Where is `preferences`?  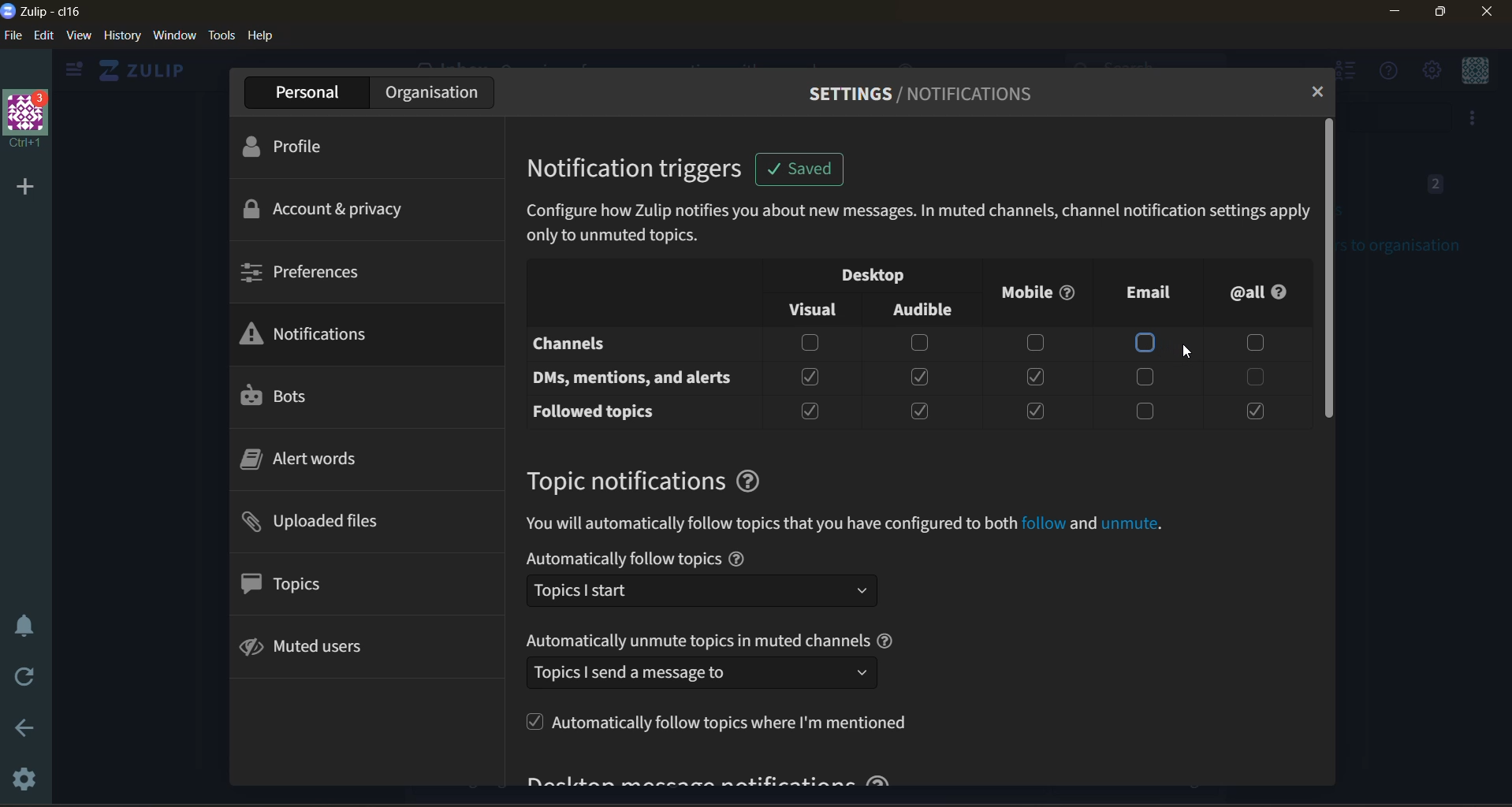 preferences is located at coordinates (308, 270).